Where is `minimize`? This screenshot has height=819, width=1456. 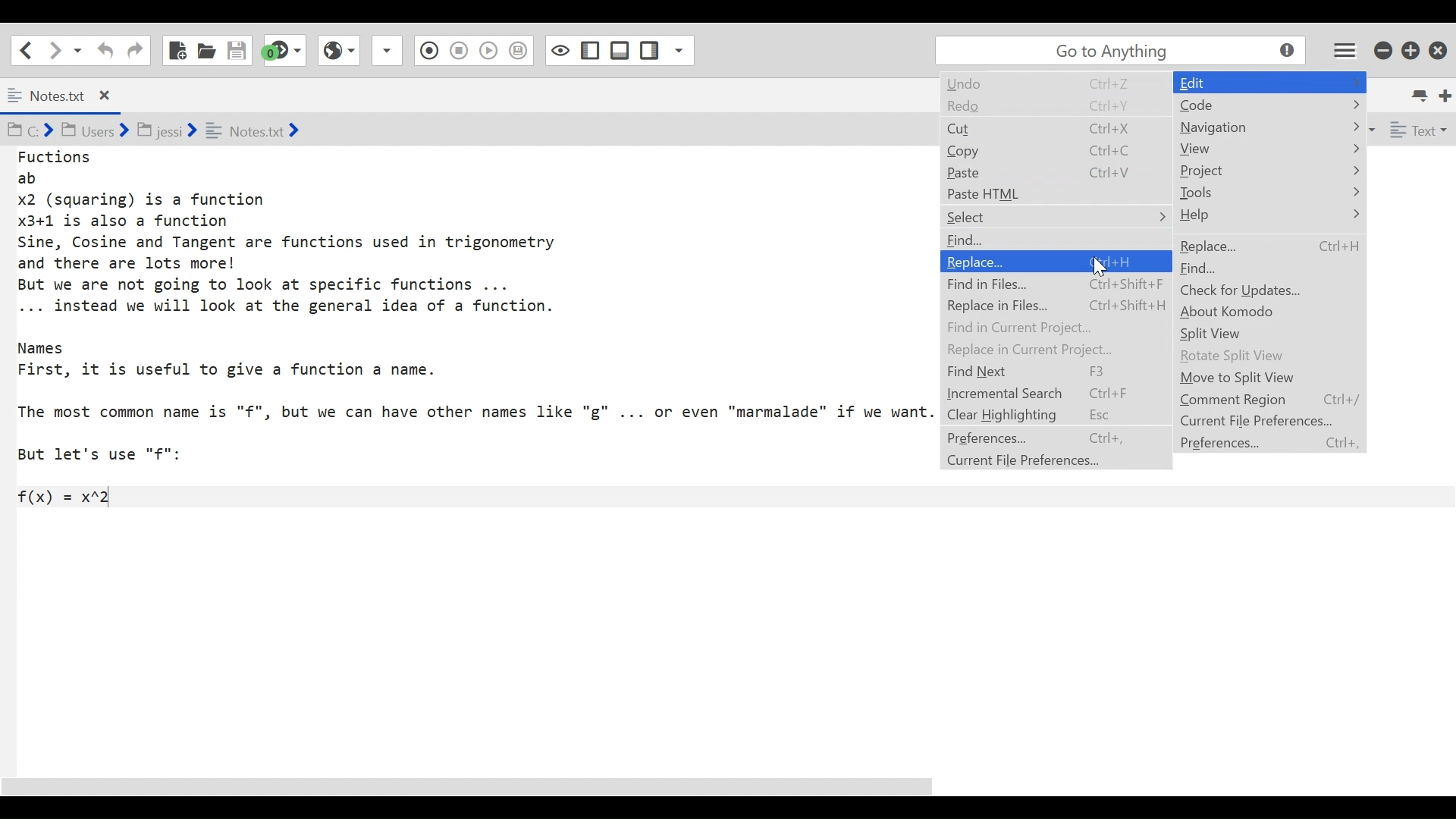 minimize is located at coordinates (1385, 49).